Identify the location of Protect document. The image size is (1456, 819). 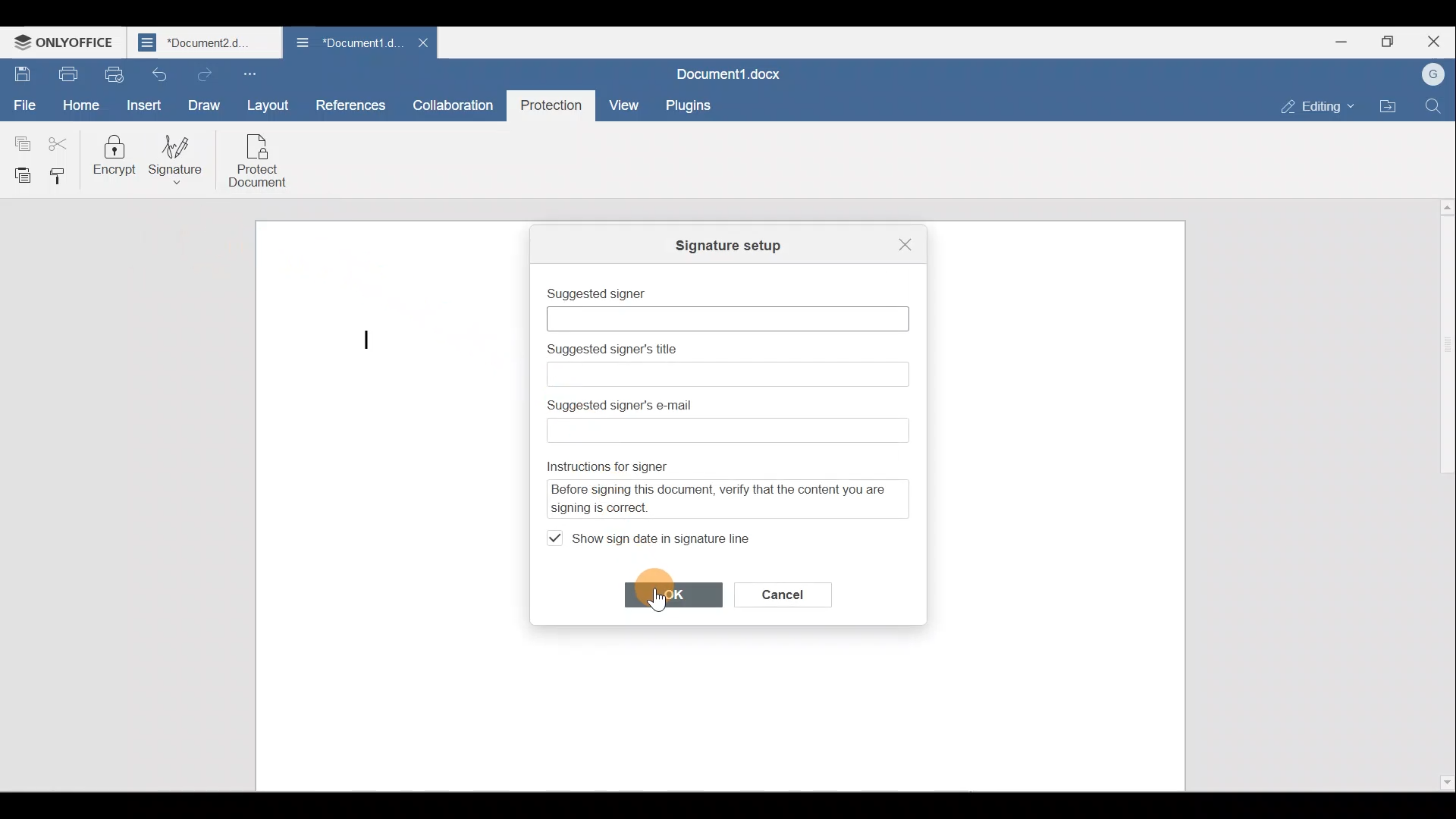
(259, 158).